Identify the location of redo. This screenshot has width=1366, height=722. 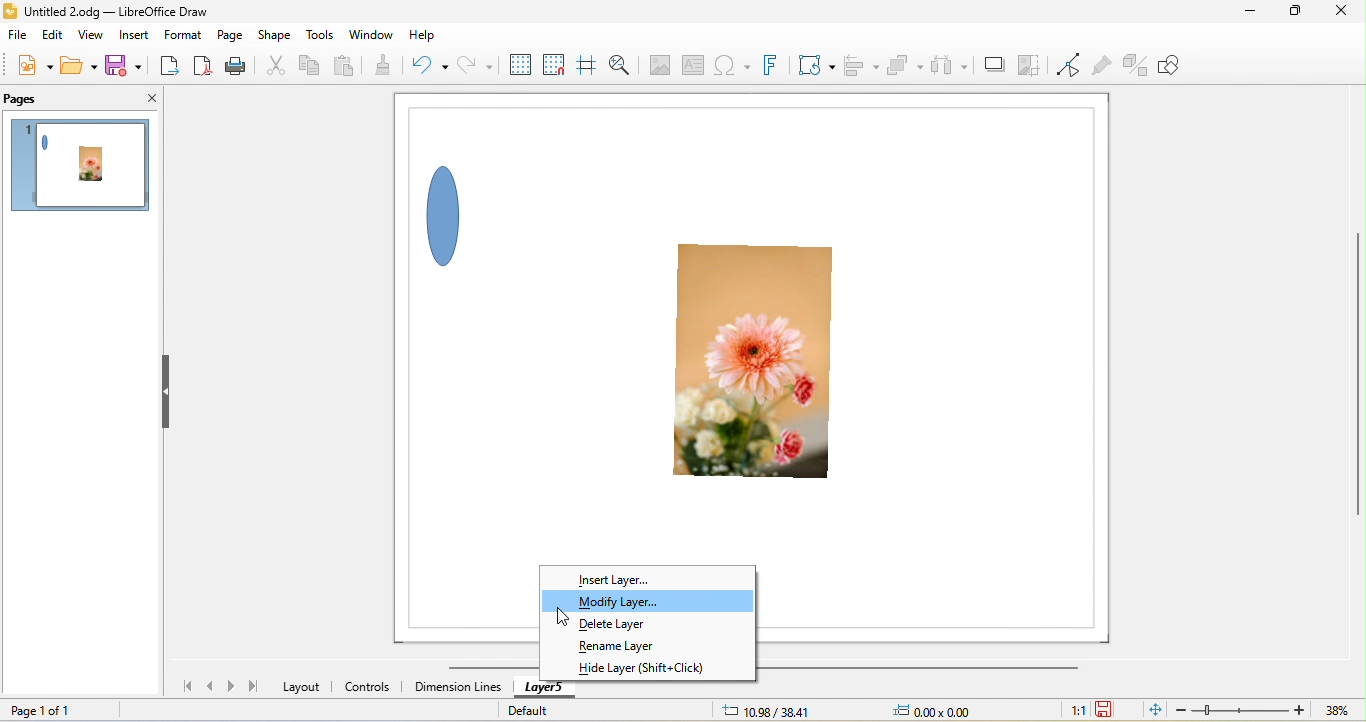
(473, 67).